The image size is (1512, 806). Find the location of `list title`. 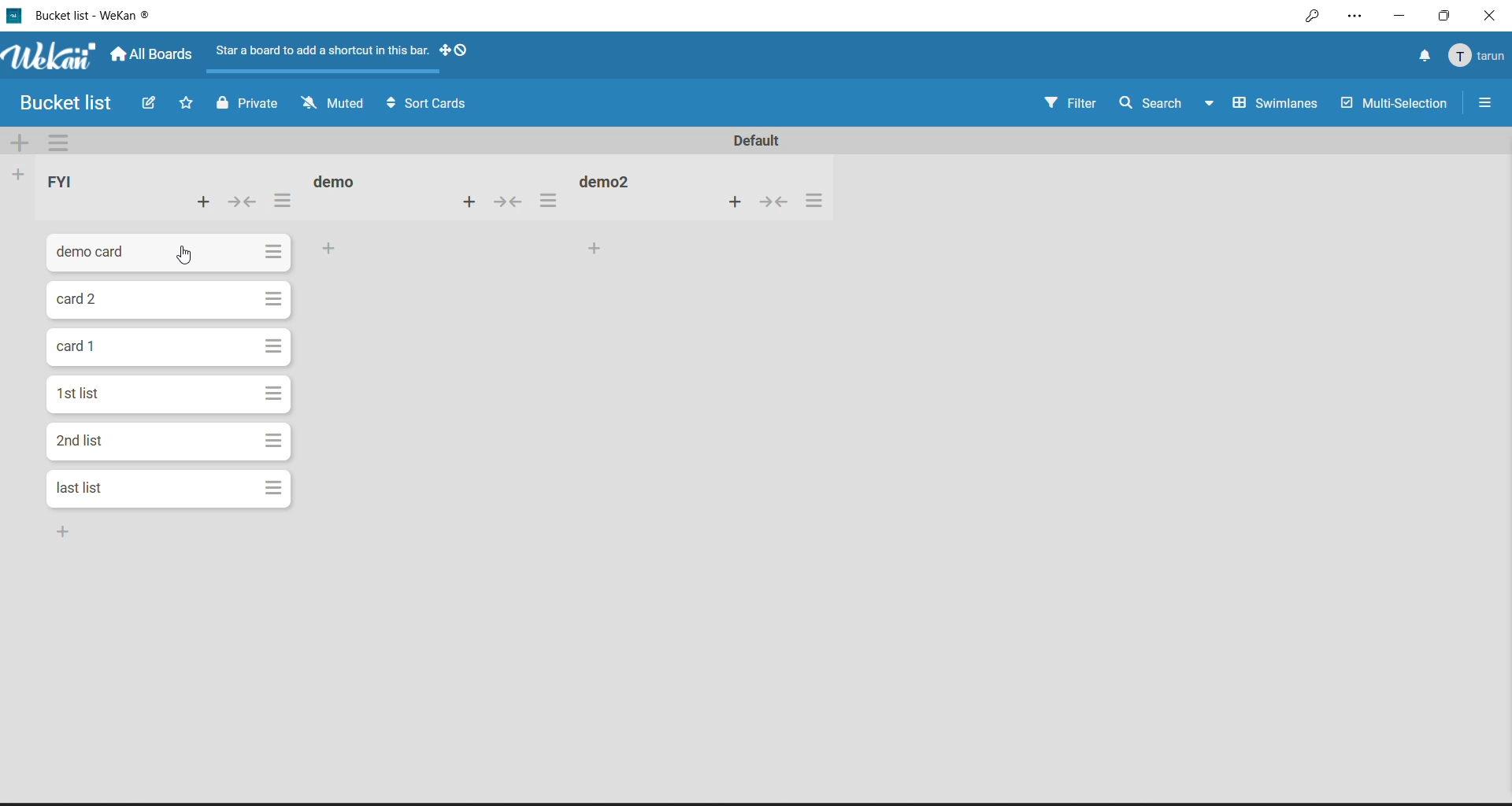

list title is located at coordinates (609, 180).